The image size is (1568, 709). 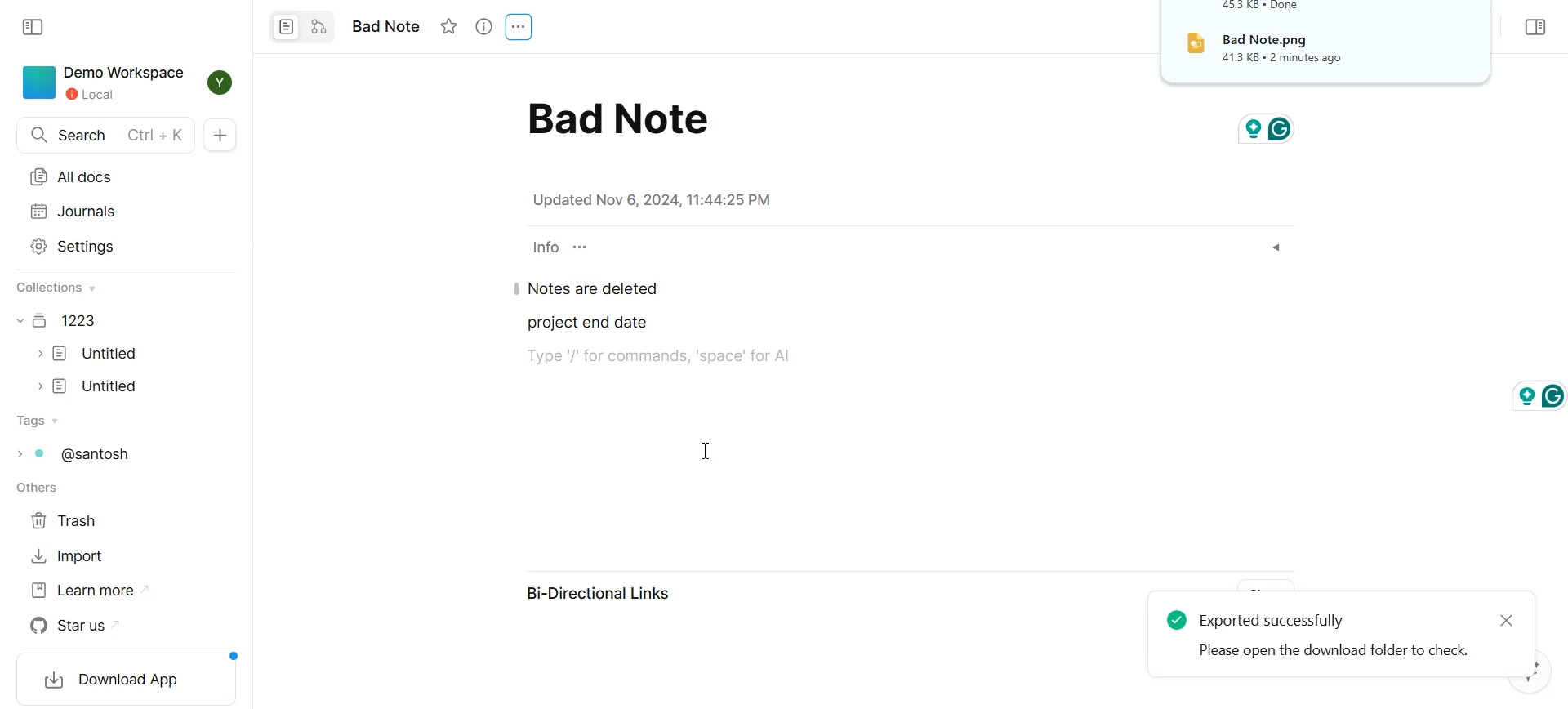 I want to click on All docs, so click(x=106, y=177).